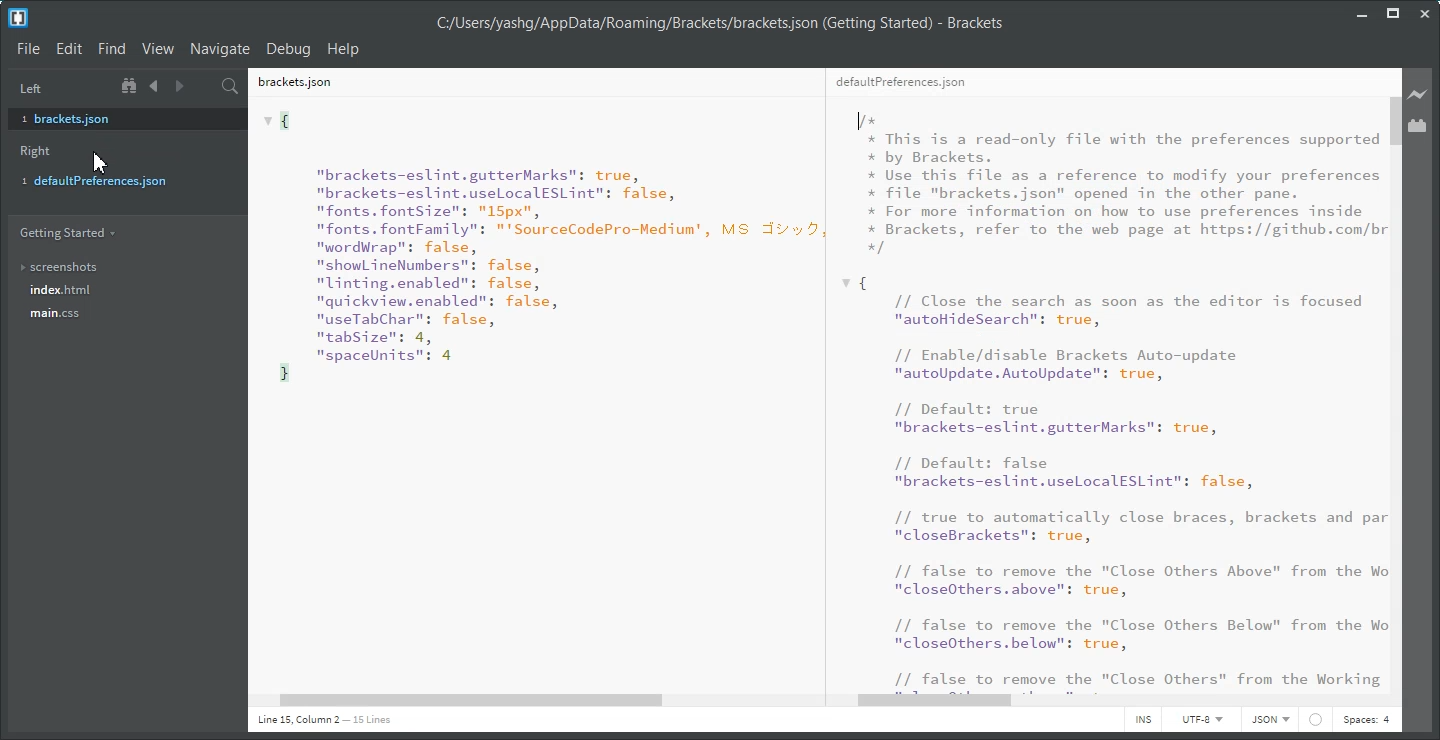 Image resolution: width=1440 pixels, height=740 pixels. Describe the element at coordinates (1366, 721) in the screenshot. I see `Spaces: 4` at that location.